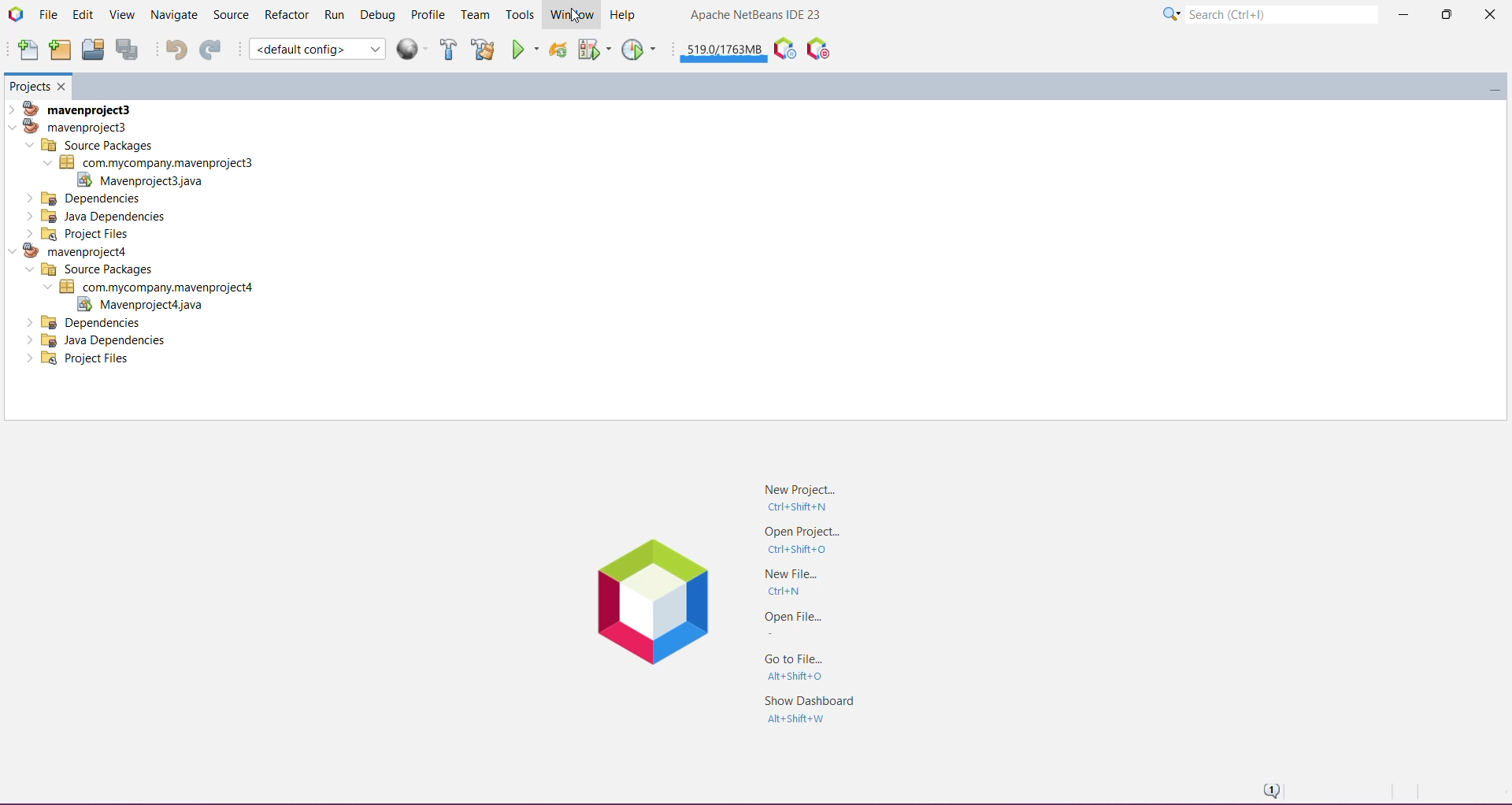 The width and height of the screenshot is (1512, 805). Describe the element at coordinates (1281, 13) in the screenshot. I see `Search` at that location.